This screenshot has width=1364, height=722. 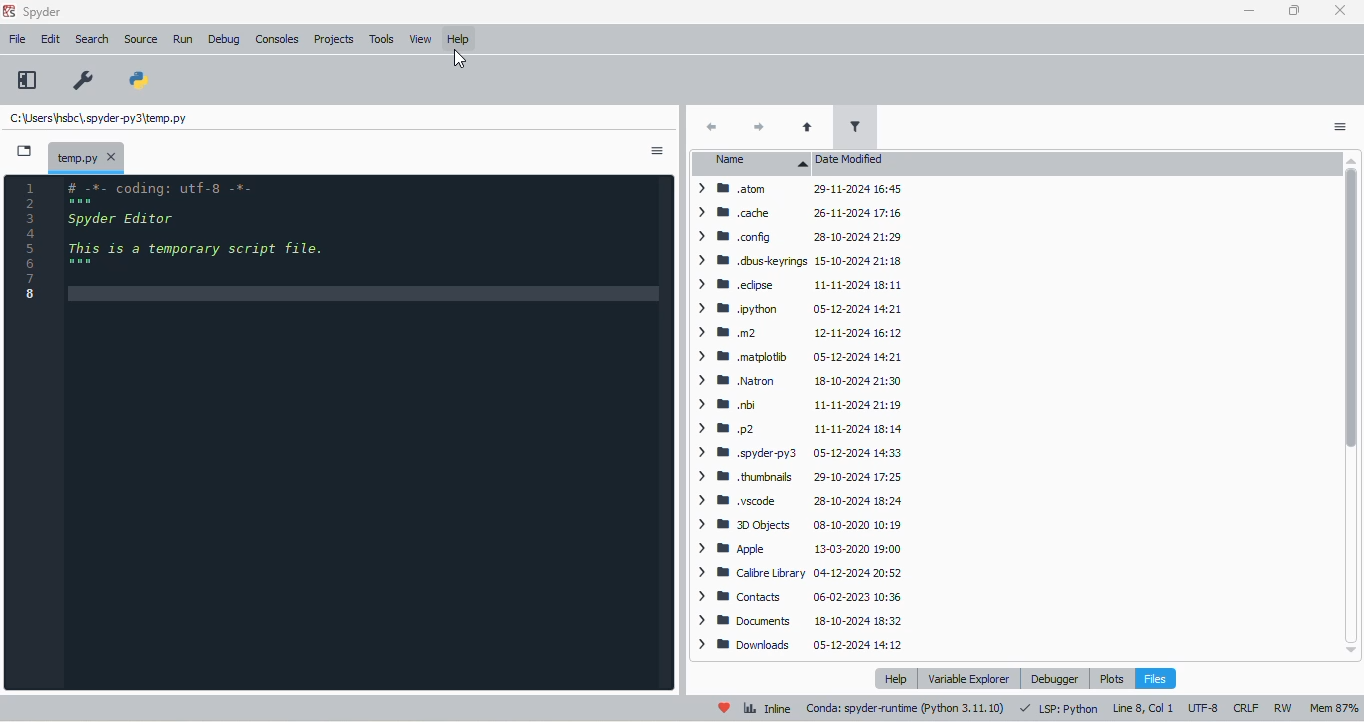 I want to click on > WM cache 26-11-2024 17:16, so click(x=797, y=213).